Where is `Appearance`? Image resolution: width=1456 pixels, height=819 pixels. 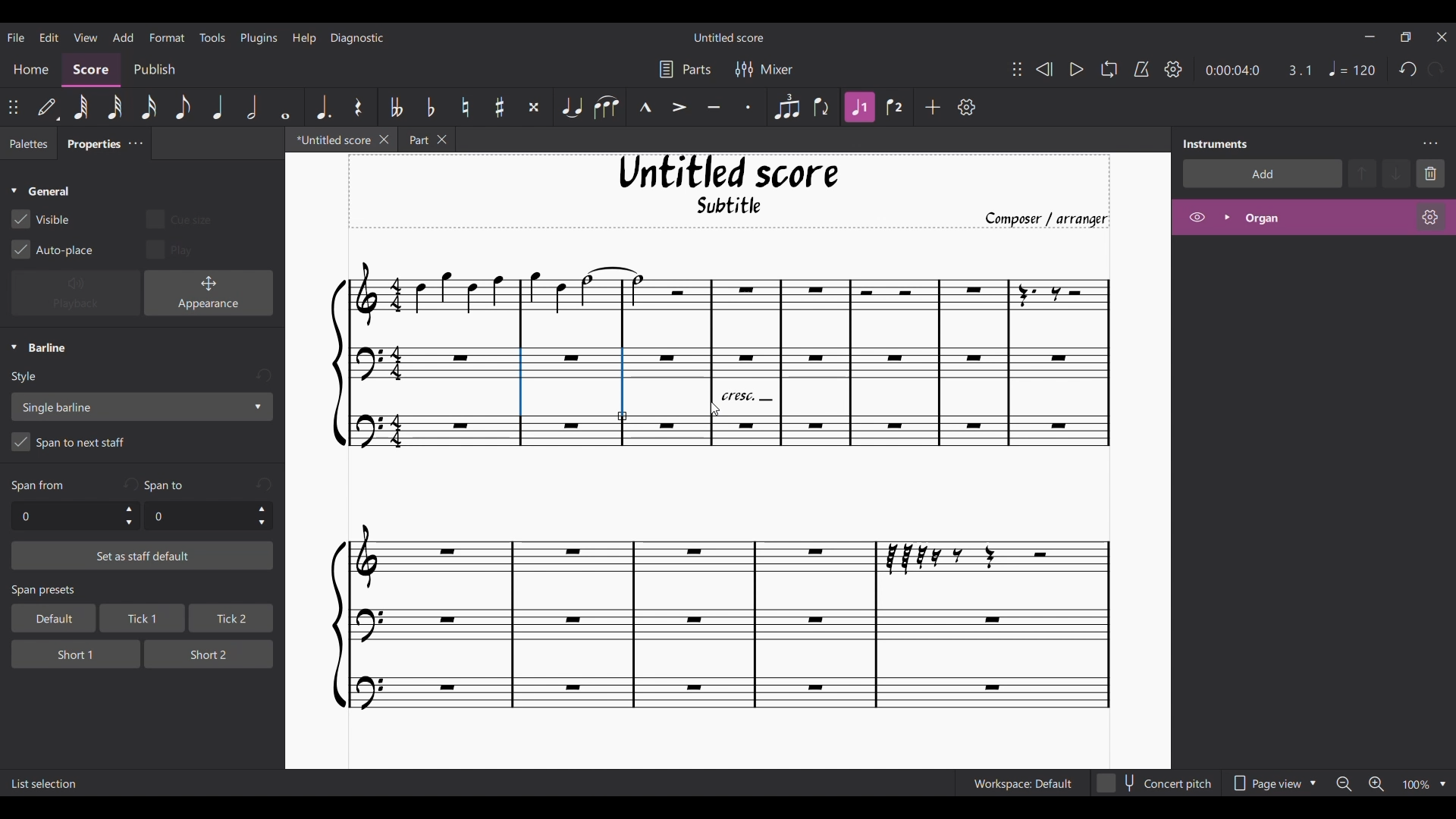
Appearance is located at coordinates (209, 293).